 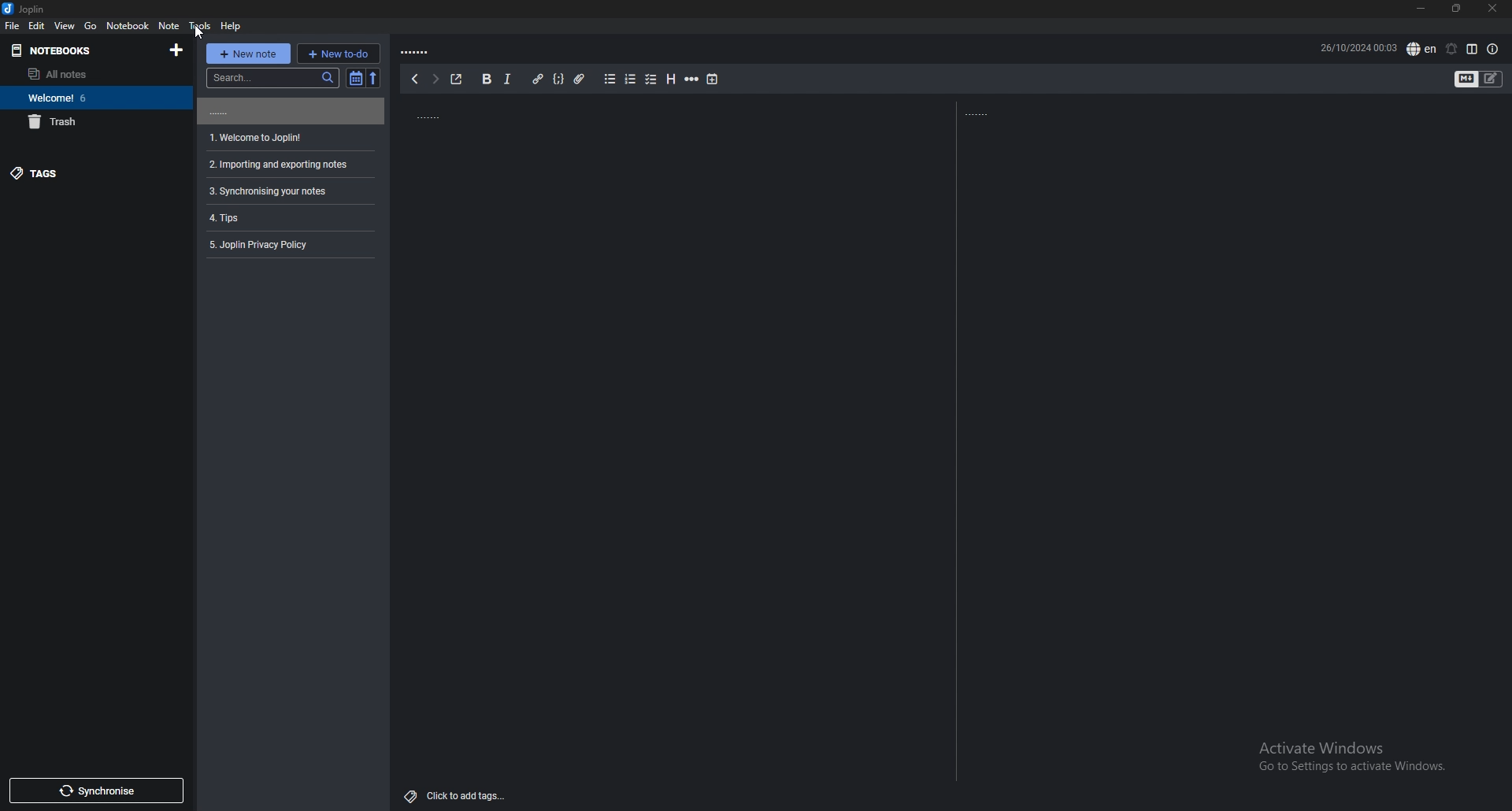 What do you see at coordinates (693, 79) in the screenshot?
I see `horizontal rule` at bounding box center [693, 79].